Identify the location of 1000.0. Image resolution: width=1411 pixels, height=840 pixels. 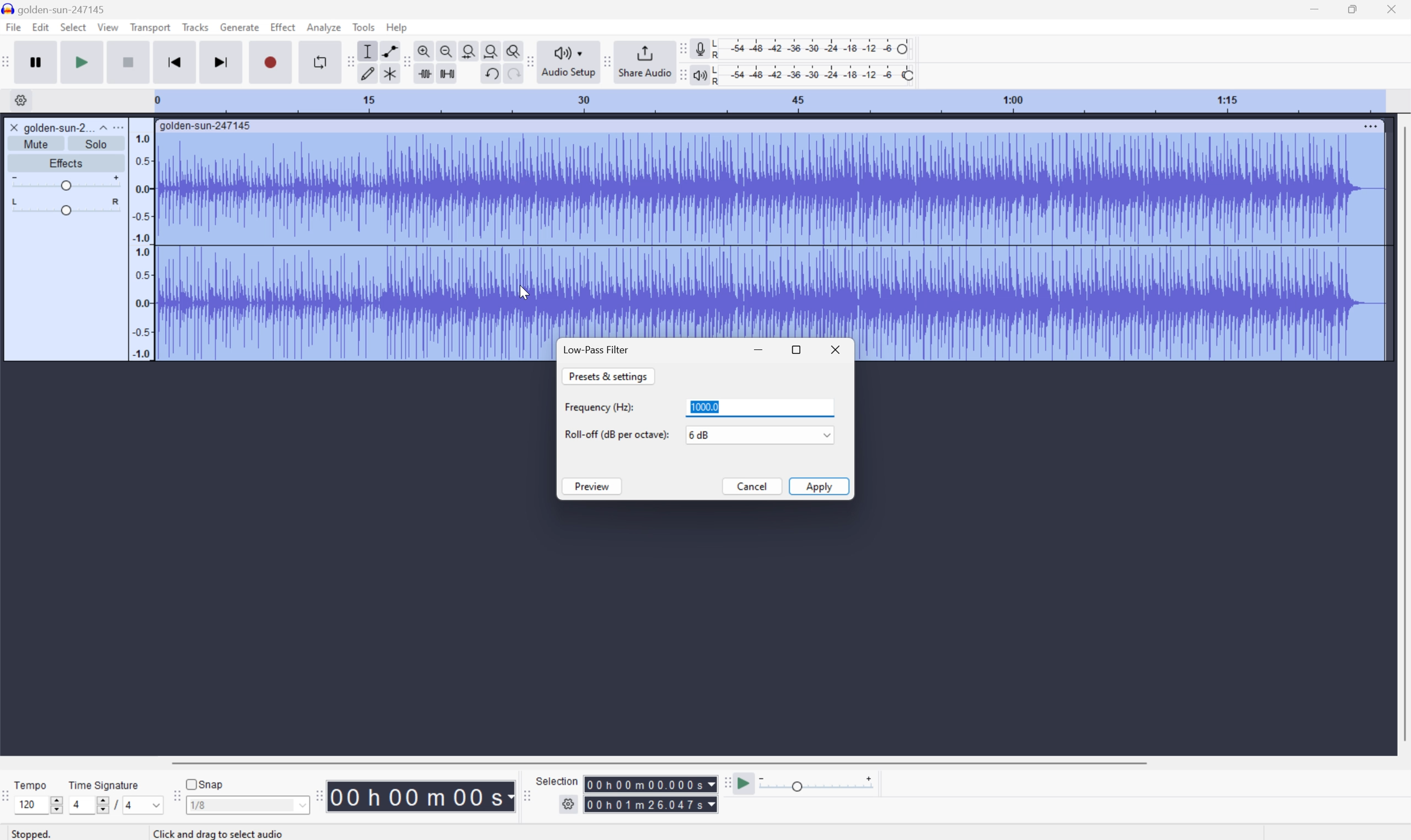
(760, 408).